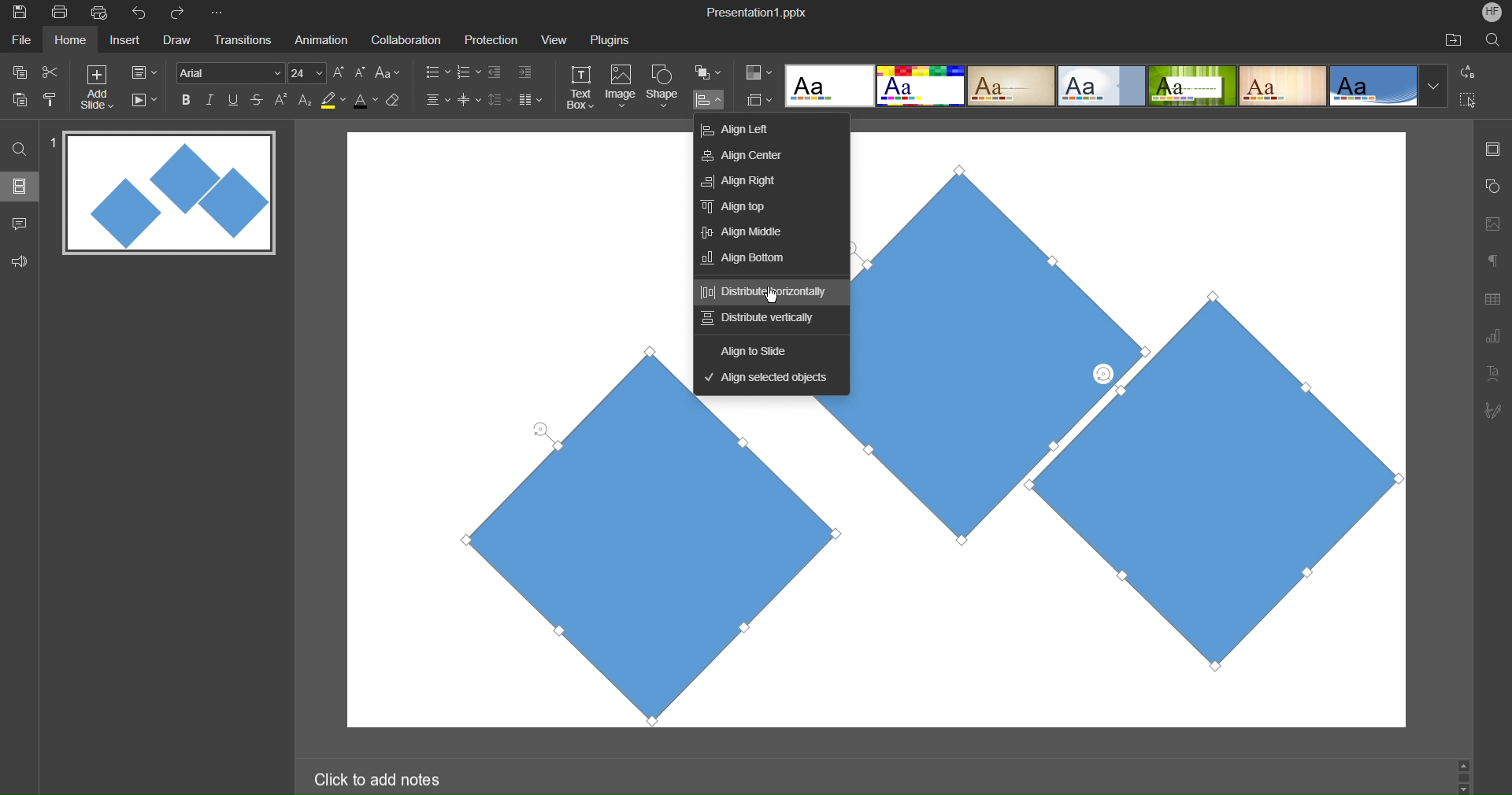  Describe the element at coordinates (1474, 102) in the screenshot. I see `select` at that location.